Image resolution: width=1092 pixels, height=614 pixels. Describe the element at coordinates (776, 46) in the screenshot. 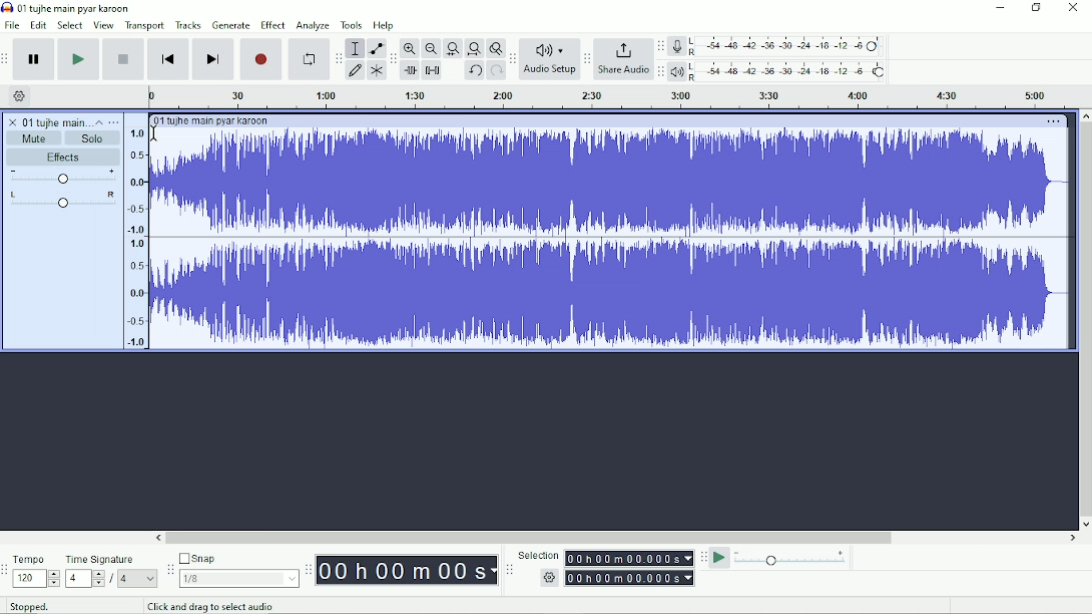

I see `Record meter` at that location.